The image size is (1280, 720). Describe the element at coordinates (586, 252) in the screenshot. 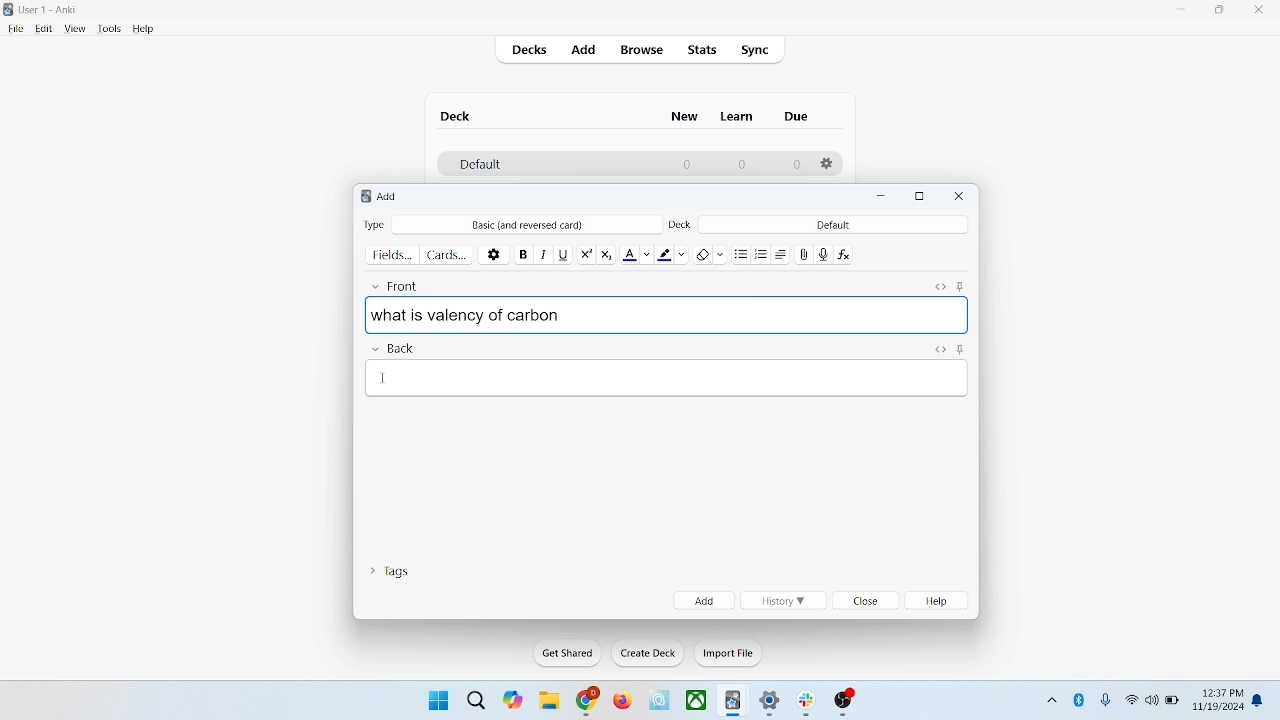

I see `superscript` at that location.